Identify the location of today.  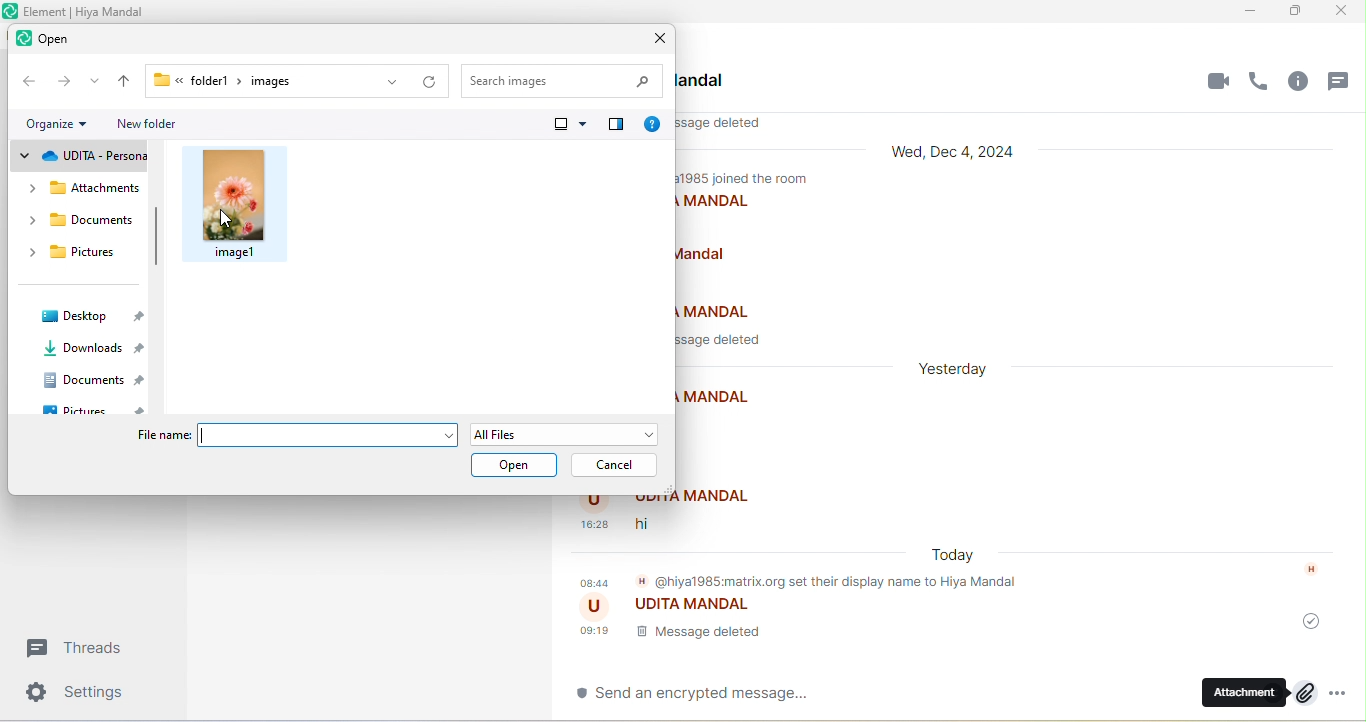
(959, 556).